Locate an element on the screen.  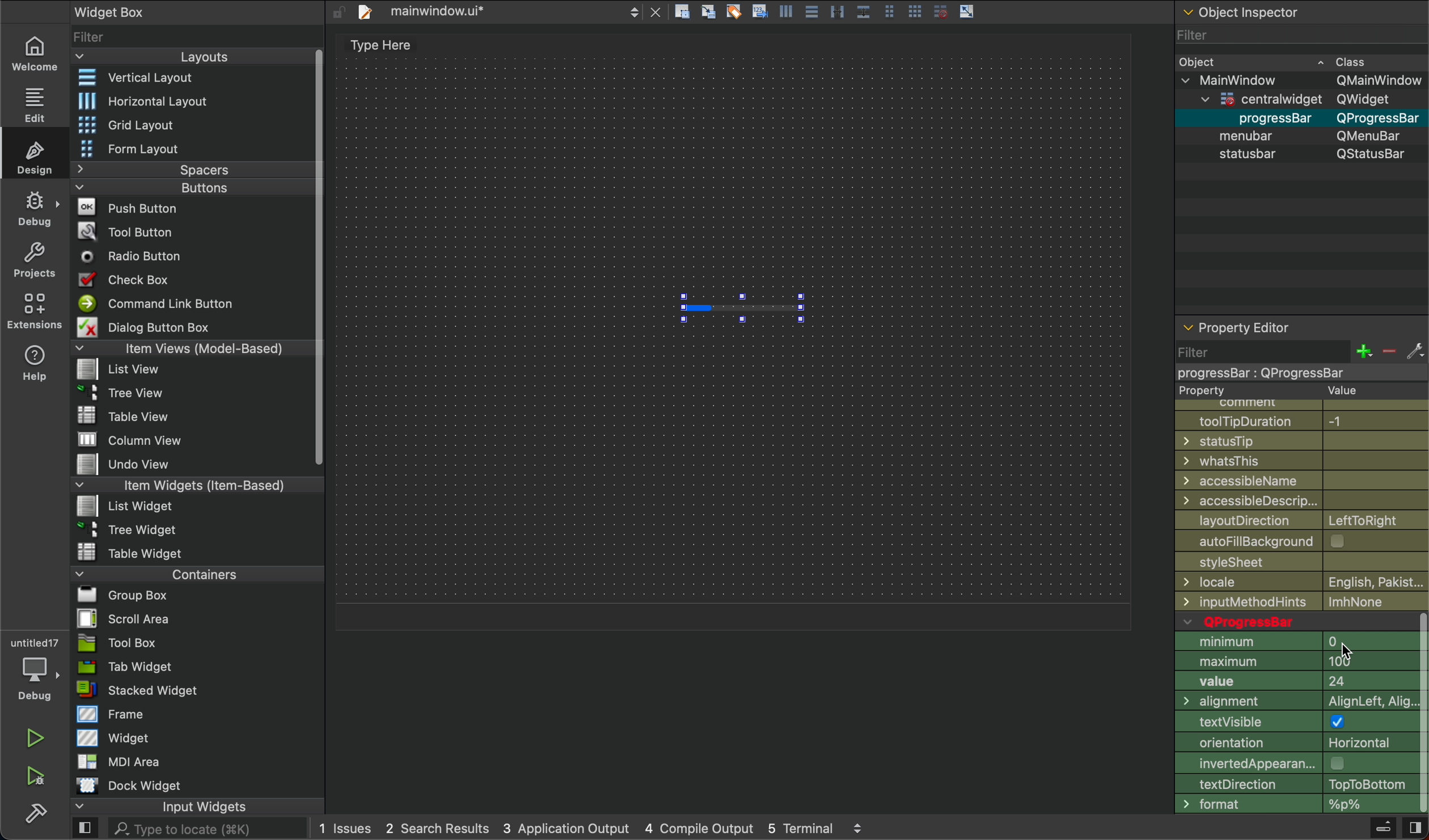
open sidebar is located at coordinates (85, 829).